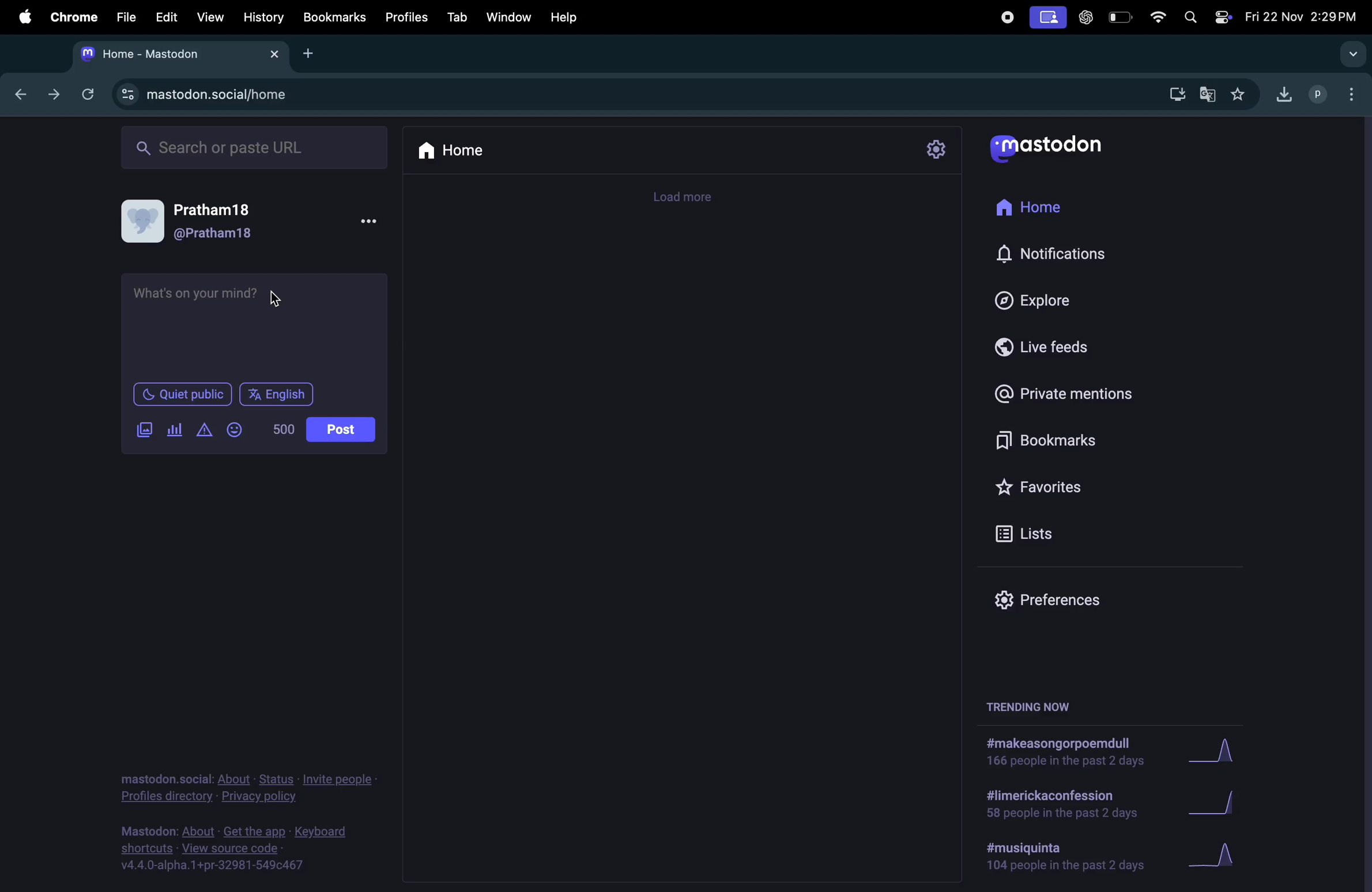 The image size is (1372, 892). I want to click on bookmarks, so click(1088, 439).